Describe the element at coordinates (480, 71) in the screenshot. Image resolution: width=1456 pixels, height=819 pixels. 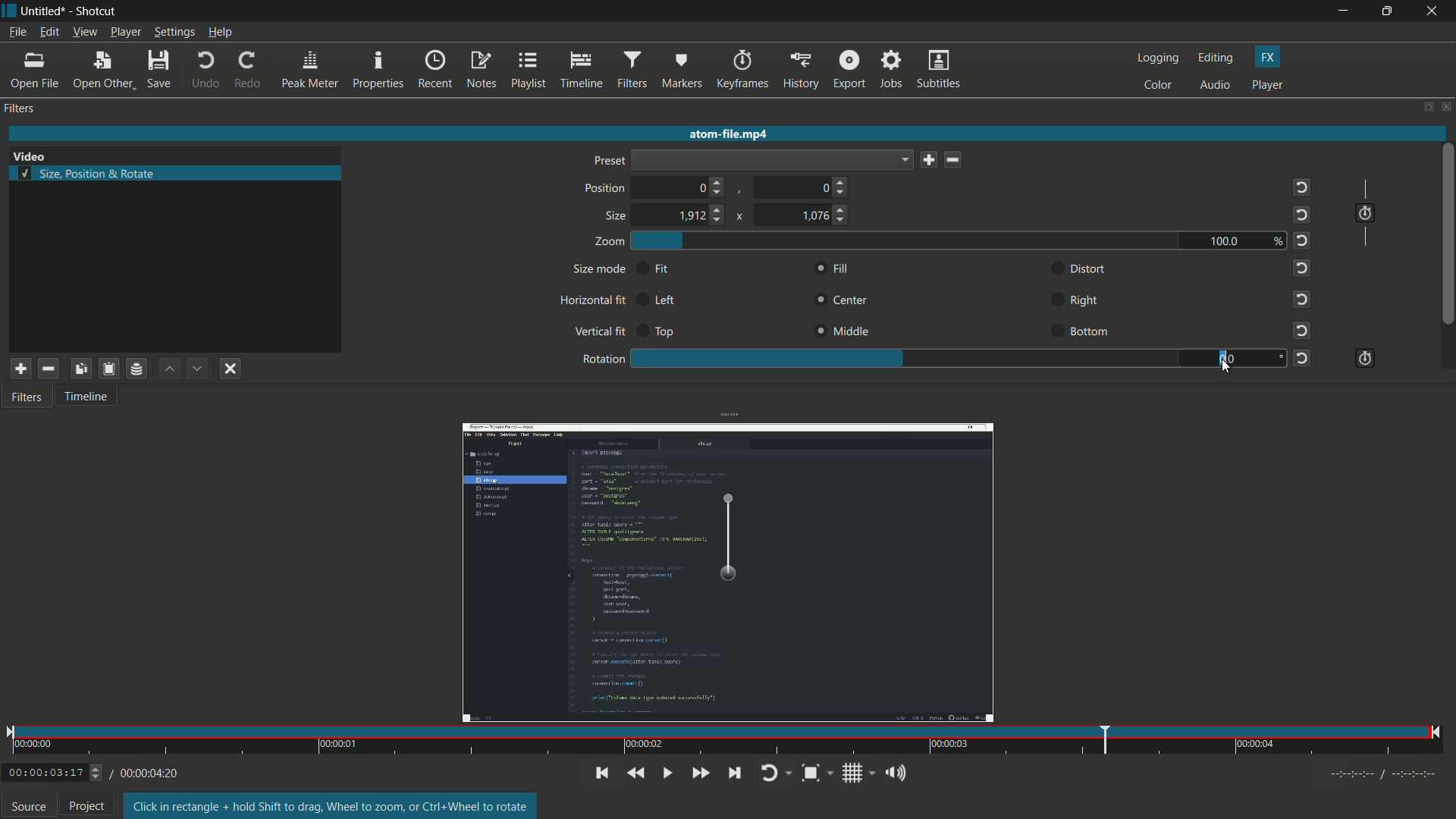
I see `notes` at that location.